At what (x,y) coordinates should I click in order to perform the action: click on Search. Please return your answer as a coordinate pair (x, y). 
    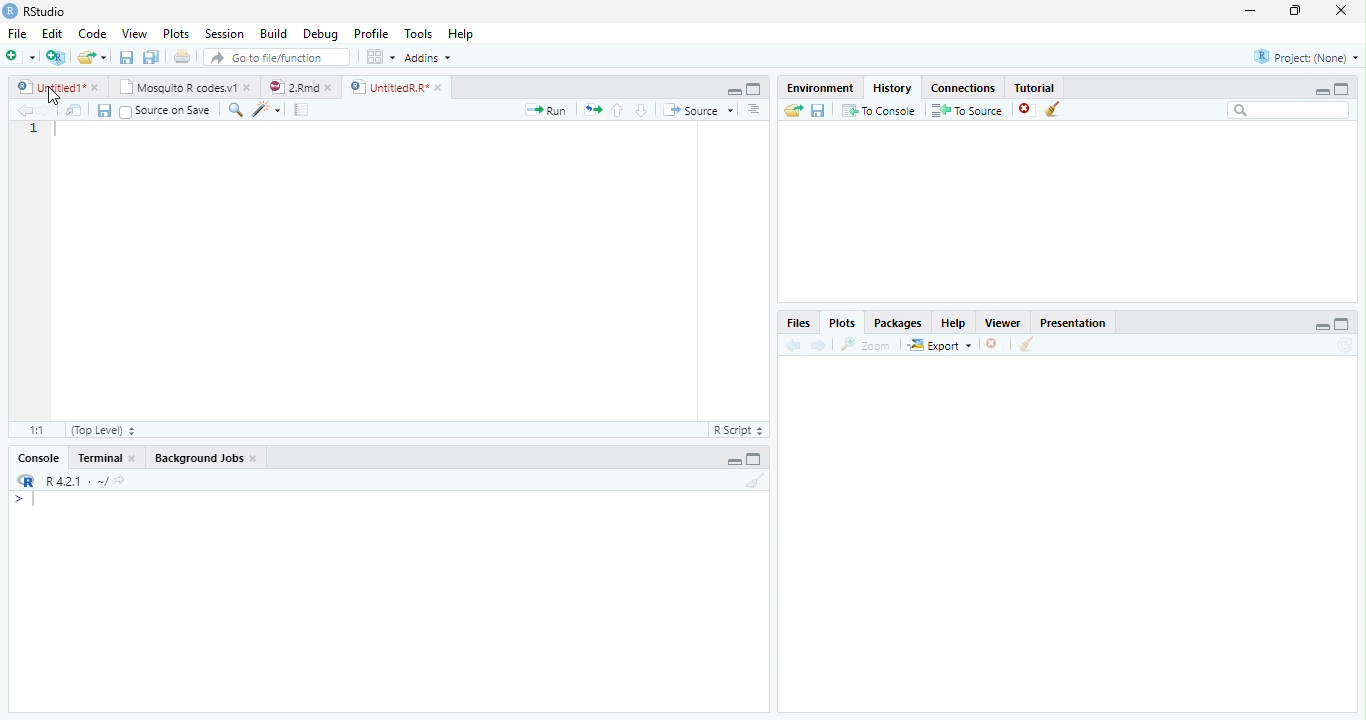
    Looking at the image, I should click on (1291, 110).